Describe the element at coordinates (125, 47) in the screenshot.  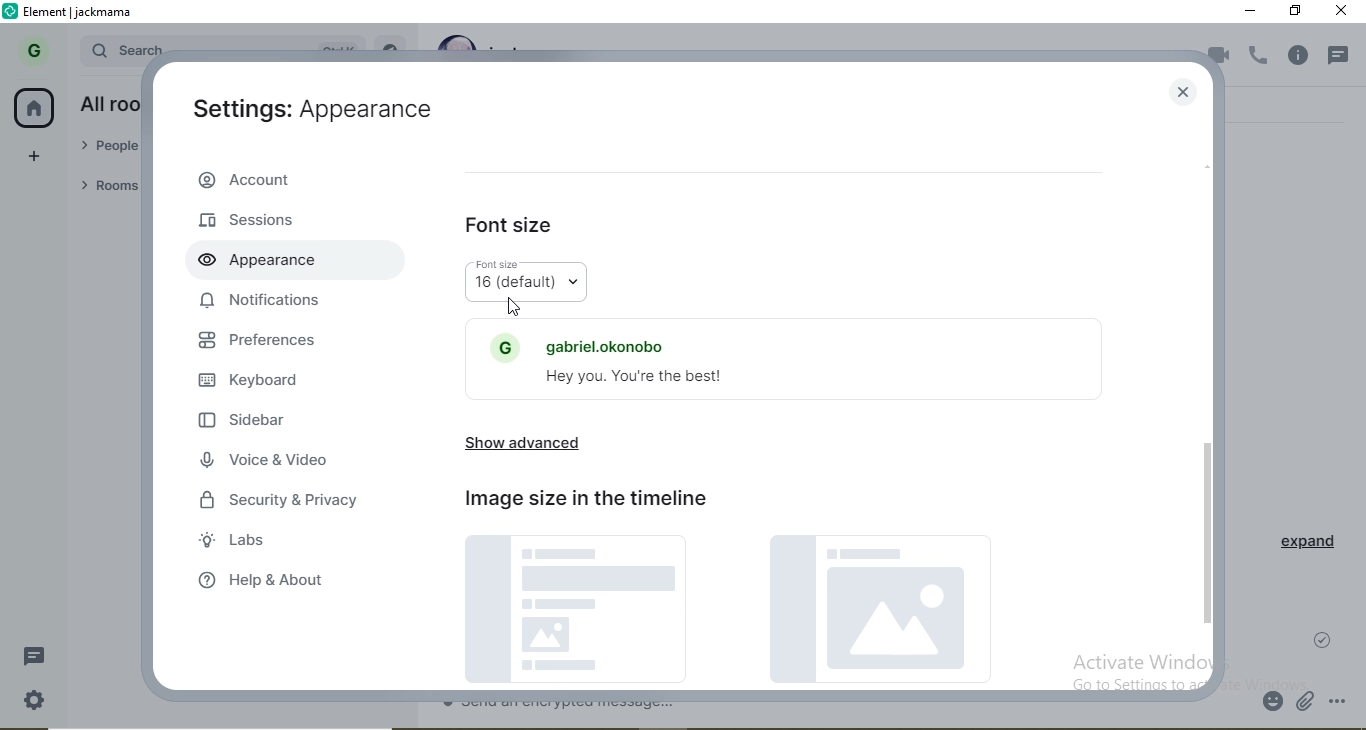
I see `search bar` at that location.